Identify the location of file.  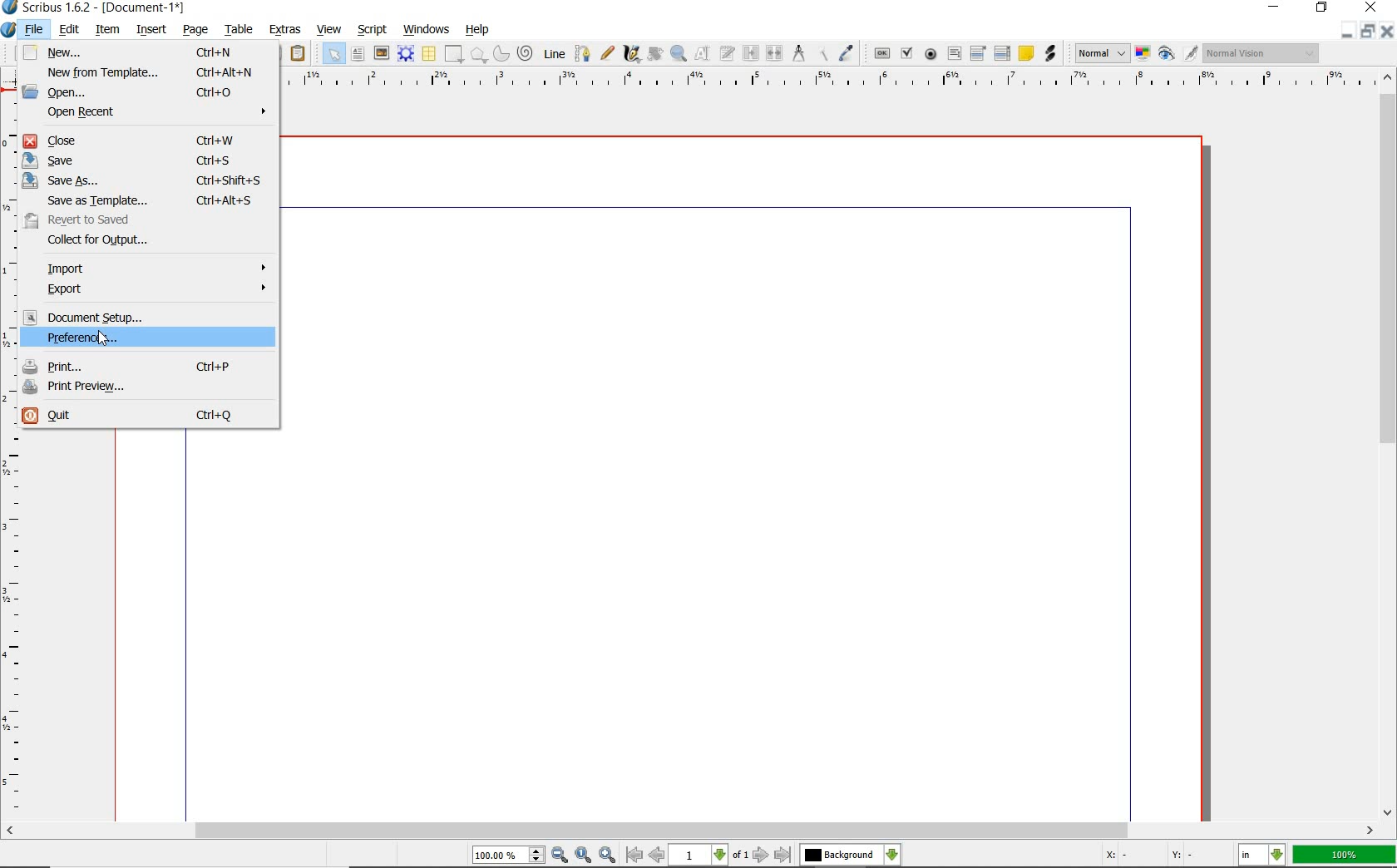
(37, 28).